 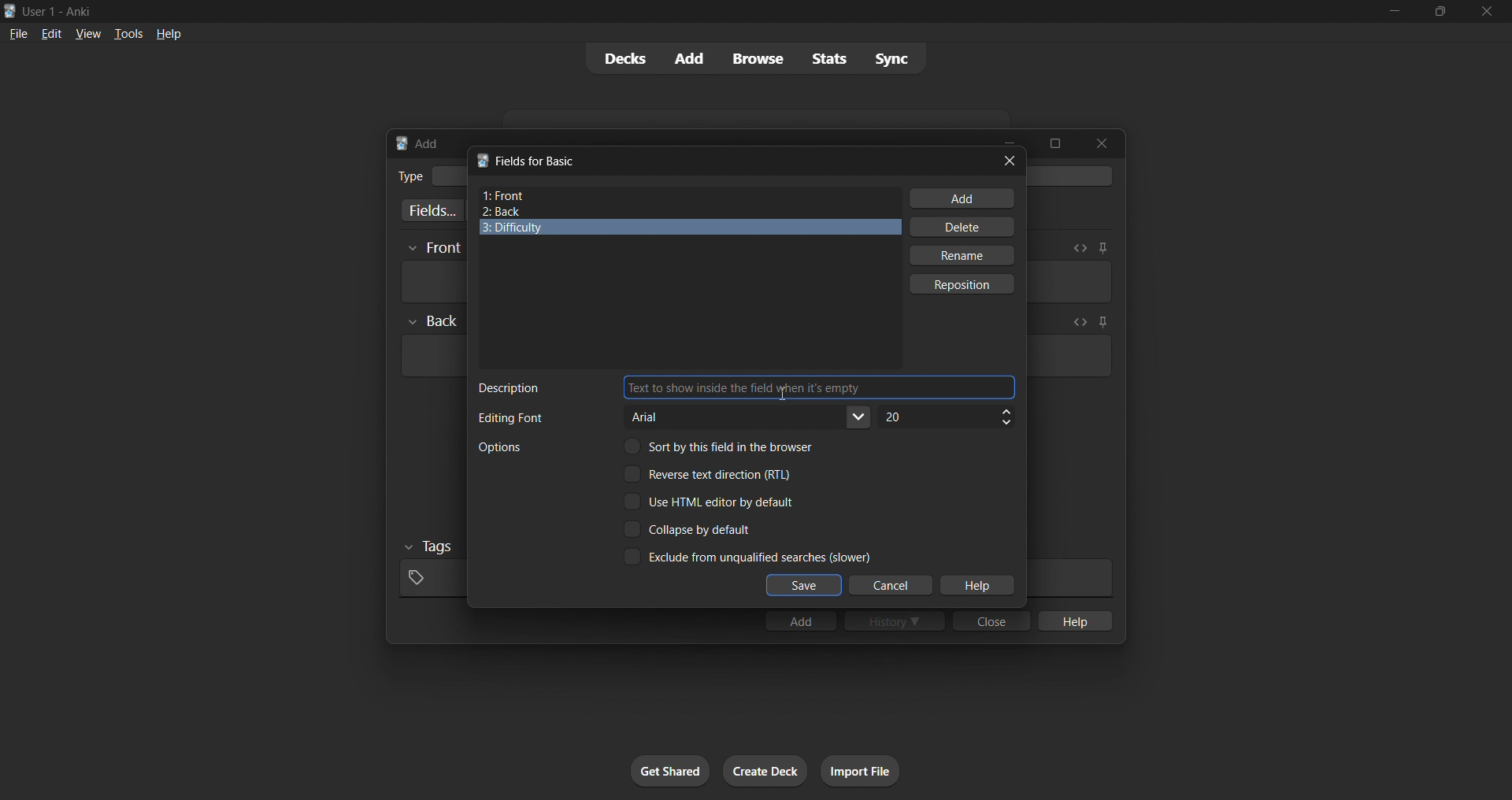 I want to click on Text, so click(x=499, y=447).